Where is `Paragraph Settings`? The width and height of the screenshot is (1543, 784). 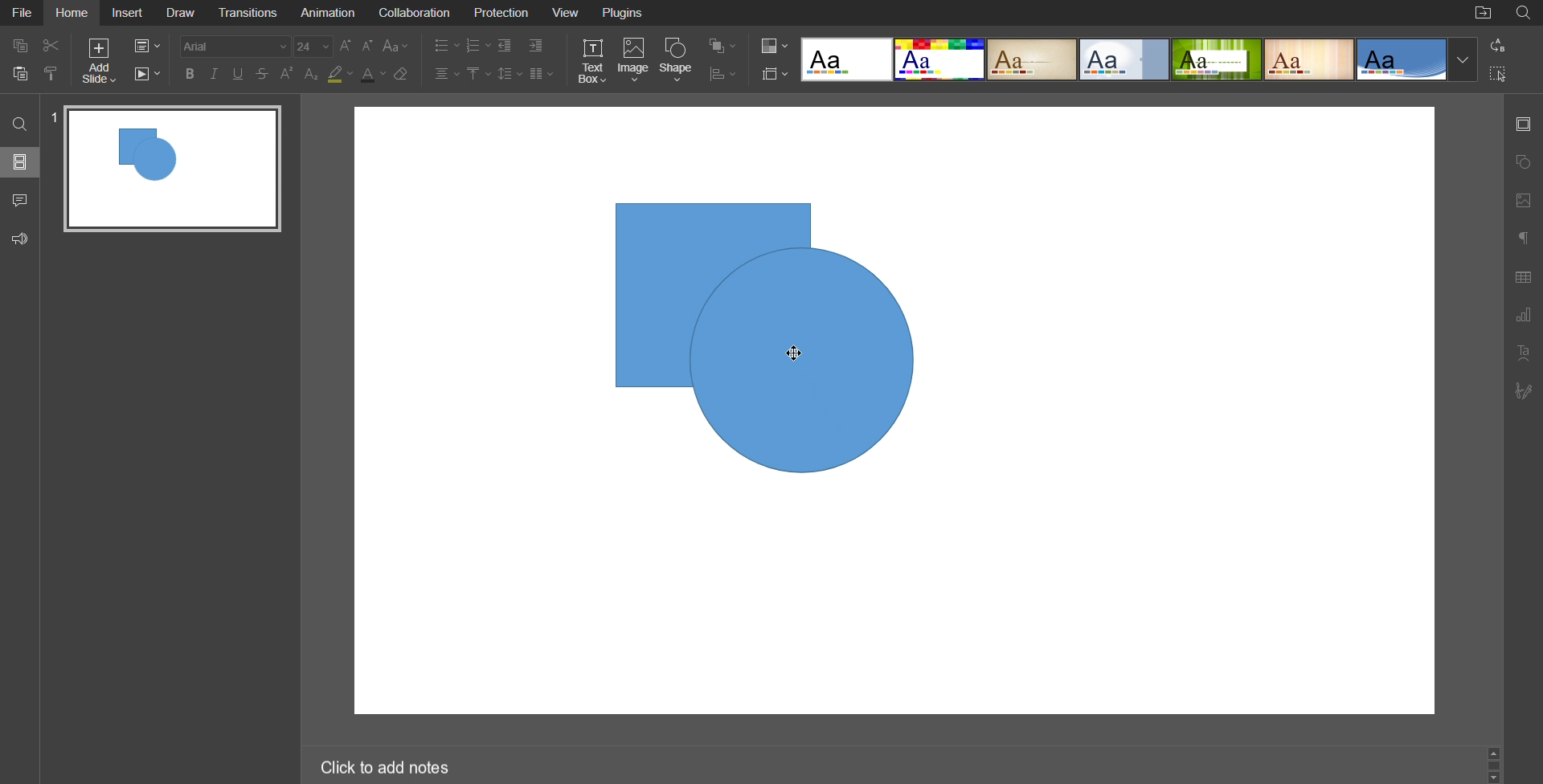
Paragraph Settings is located at coordinates (1523, 239).